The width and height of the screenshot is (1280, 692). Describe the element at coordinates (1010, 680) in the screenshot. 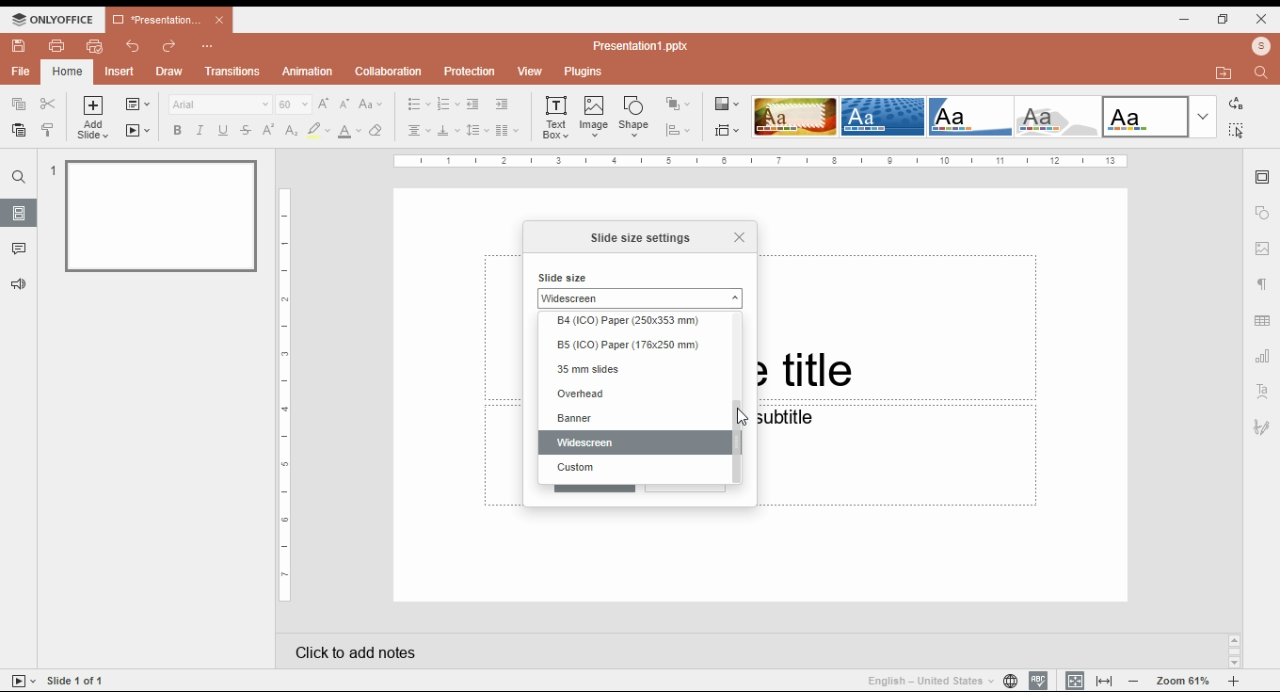

I see `set document language` at that location.